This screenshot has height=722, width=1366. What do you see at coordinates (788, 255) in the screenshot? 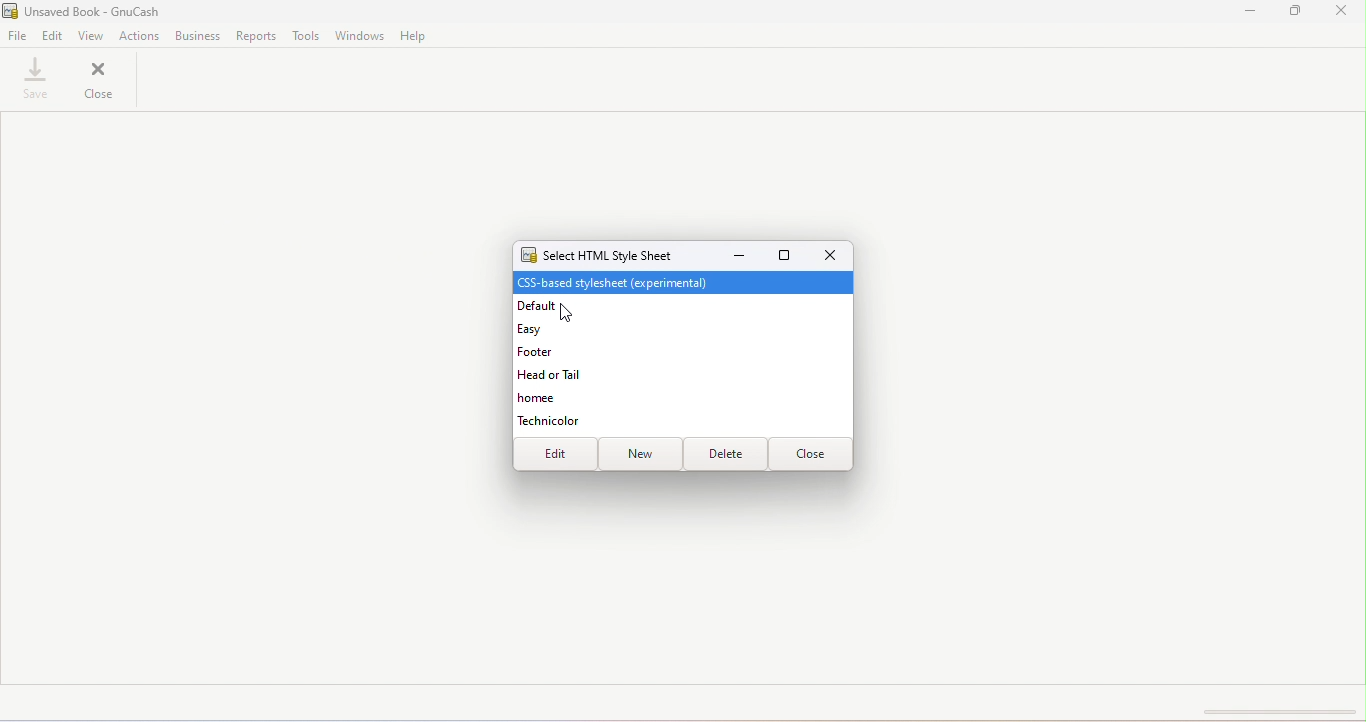
I see `Maximize` at bounding box center [788, 255].